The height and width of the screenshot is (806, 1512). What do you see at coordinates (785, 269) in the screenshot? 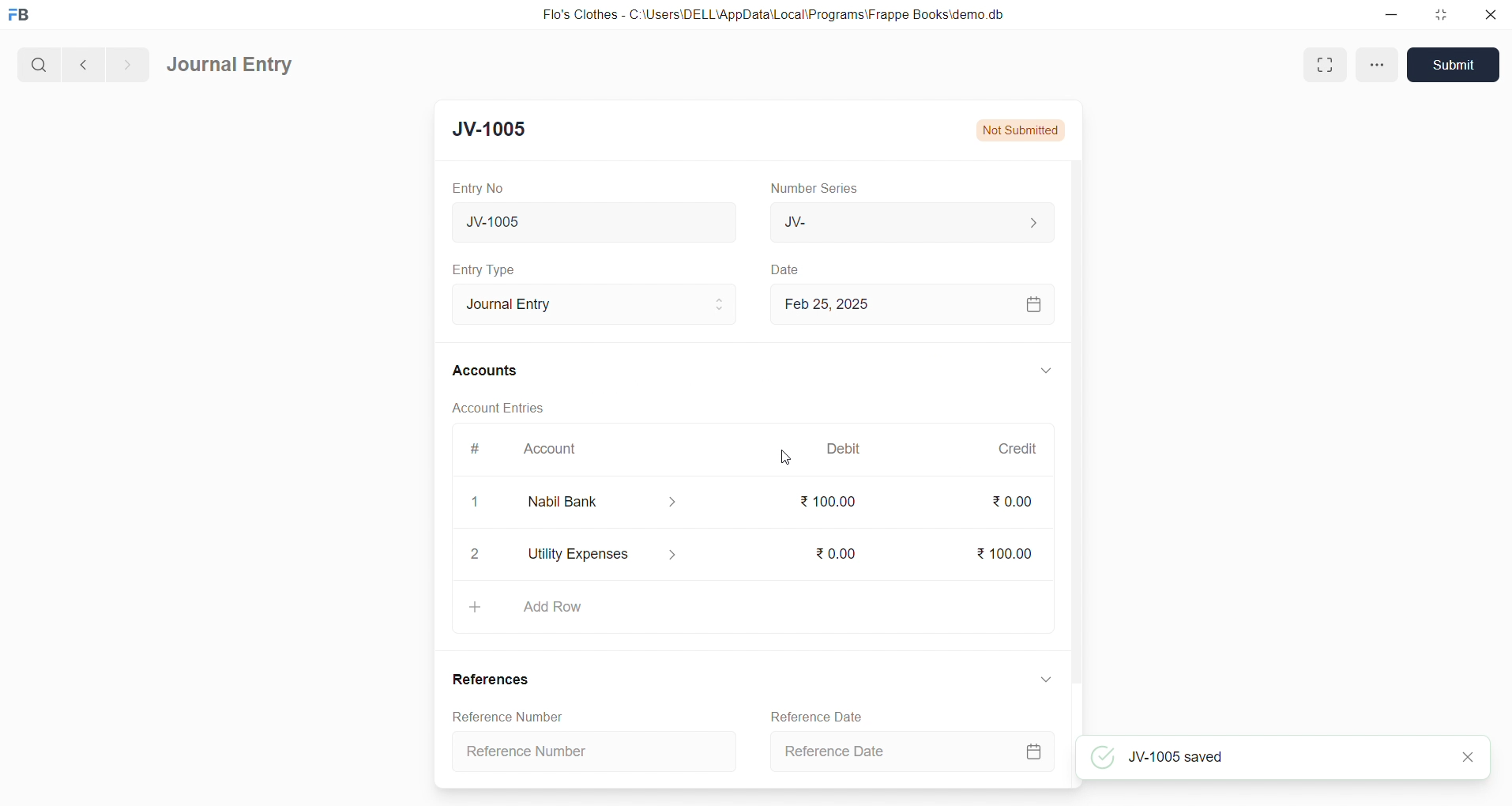
I see `Date` at bounding box center [785, 269].